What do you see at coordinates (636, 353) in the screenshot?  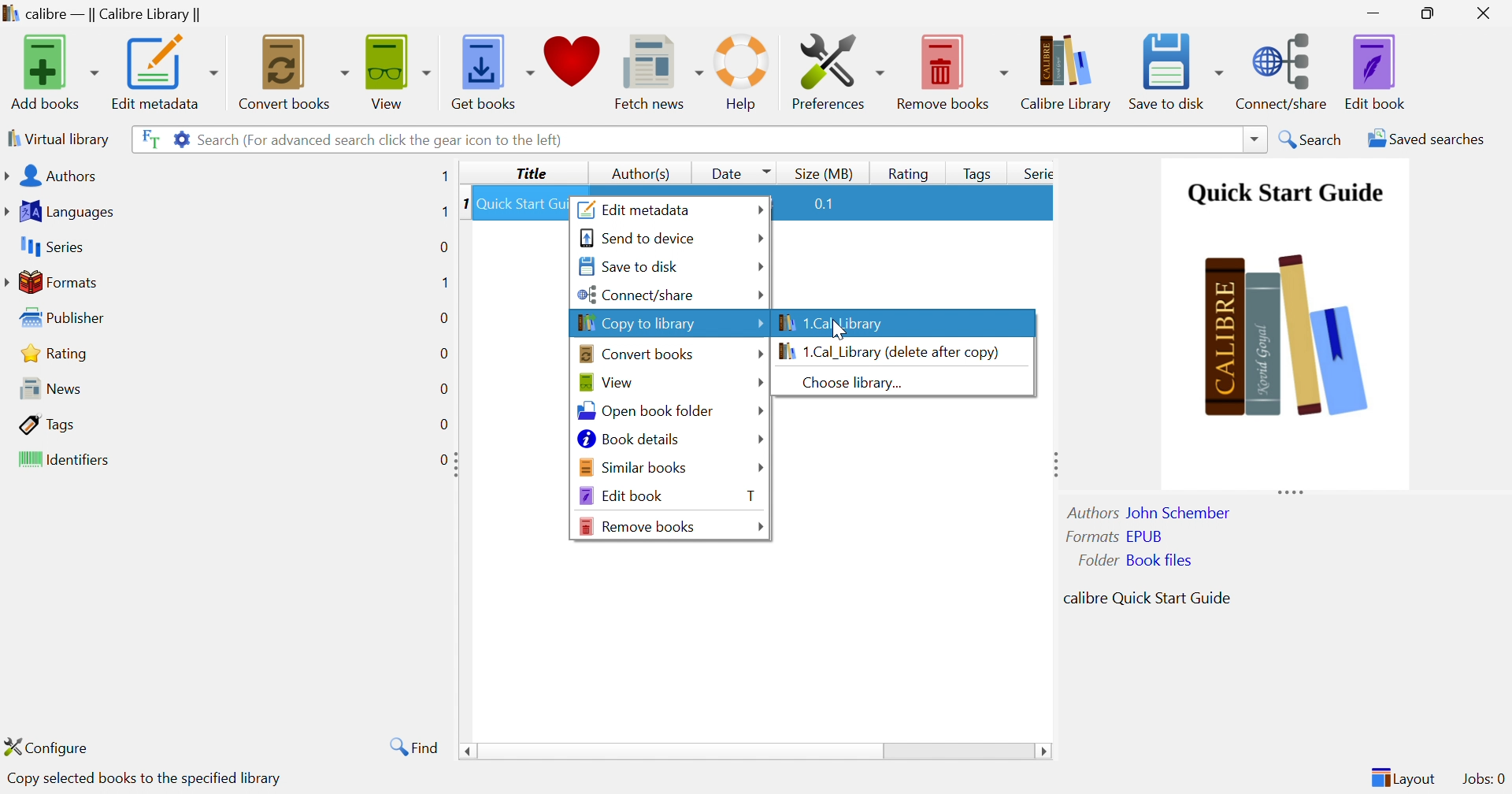 I see `Convert` at bounding box center [636, 353].